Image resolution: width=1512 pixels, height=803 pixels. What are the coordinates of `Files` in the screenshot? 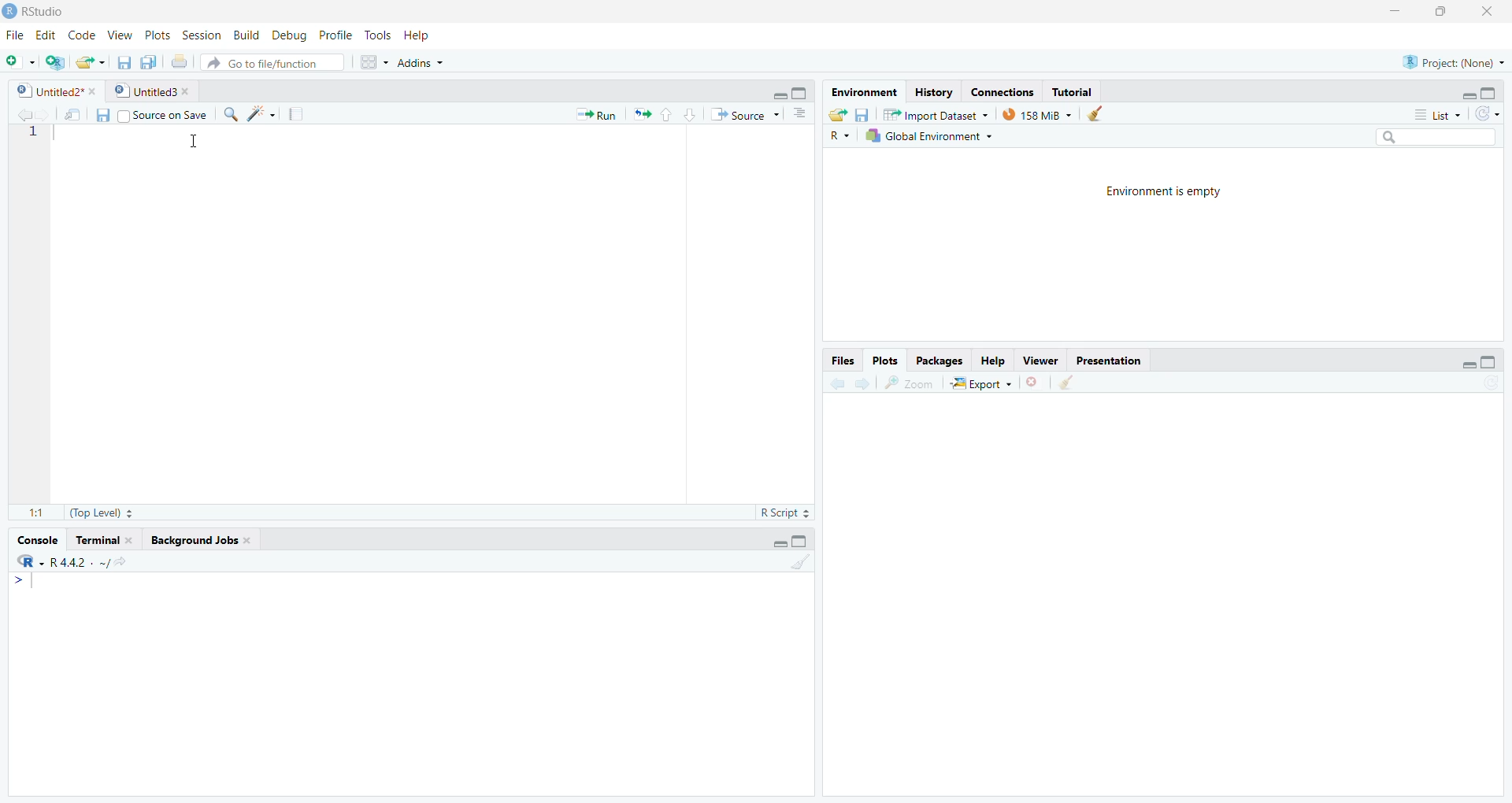 It's located at (842, 360).